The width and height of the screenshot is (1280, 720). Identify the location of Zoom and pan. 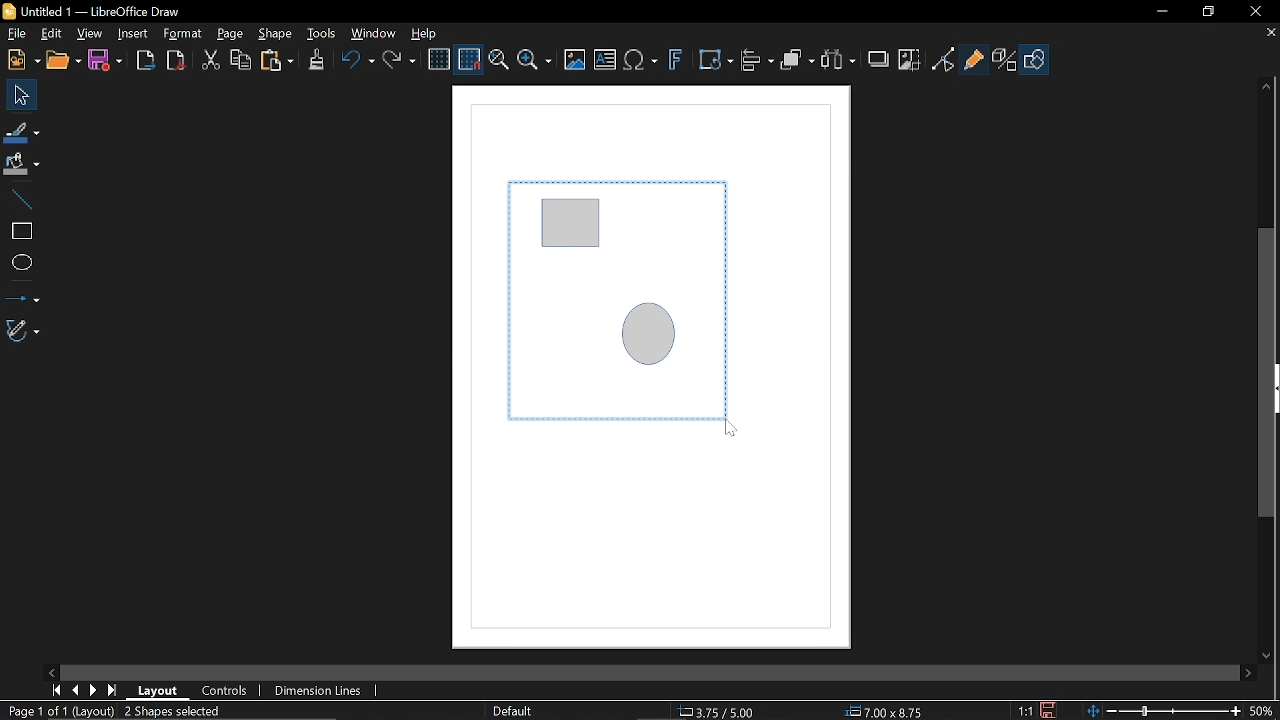
(498, 60).